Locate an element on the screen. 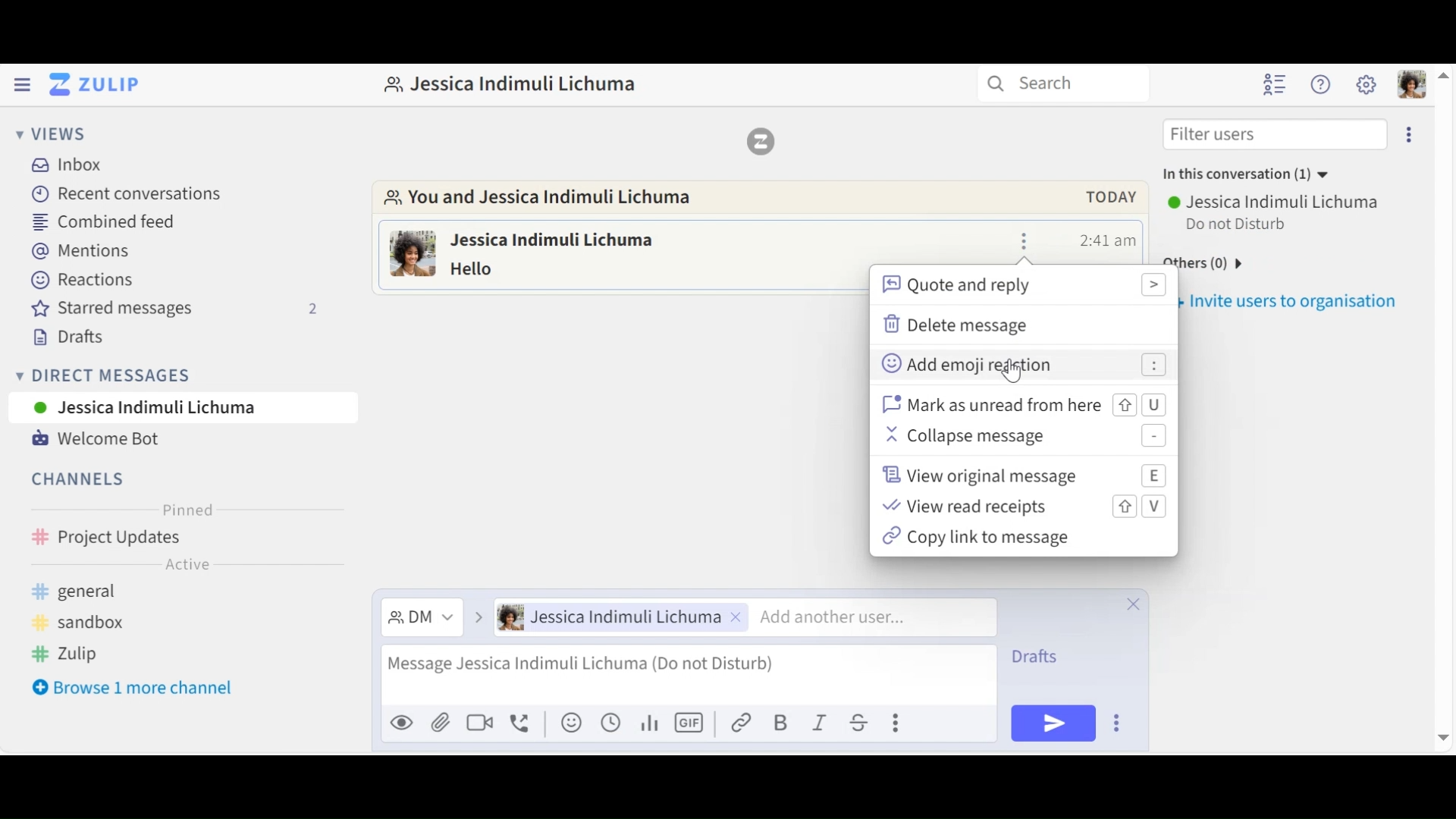 This screenshot has height=819, width=1456. Italics is located at coordinates (821, 721).